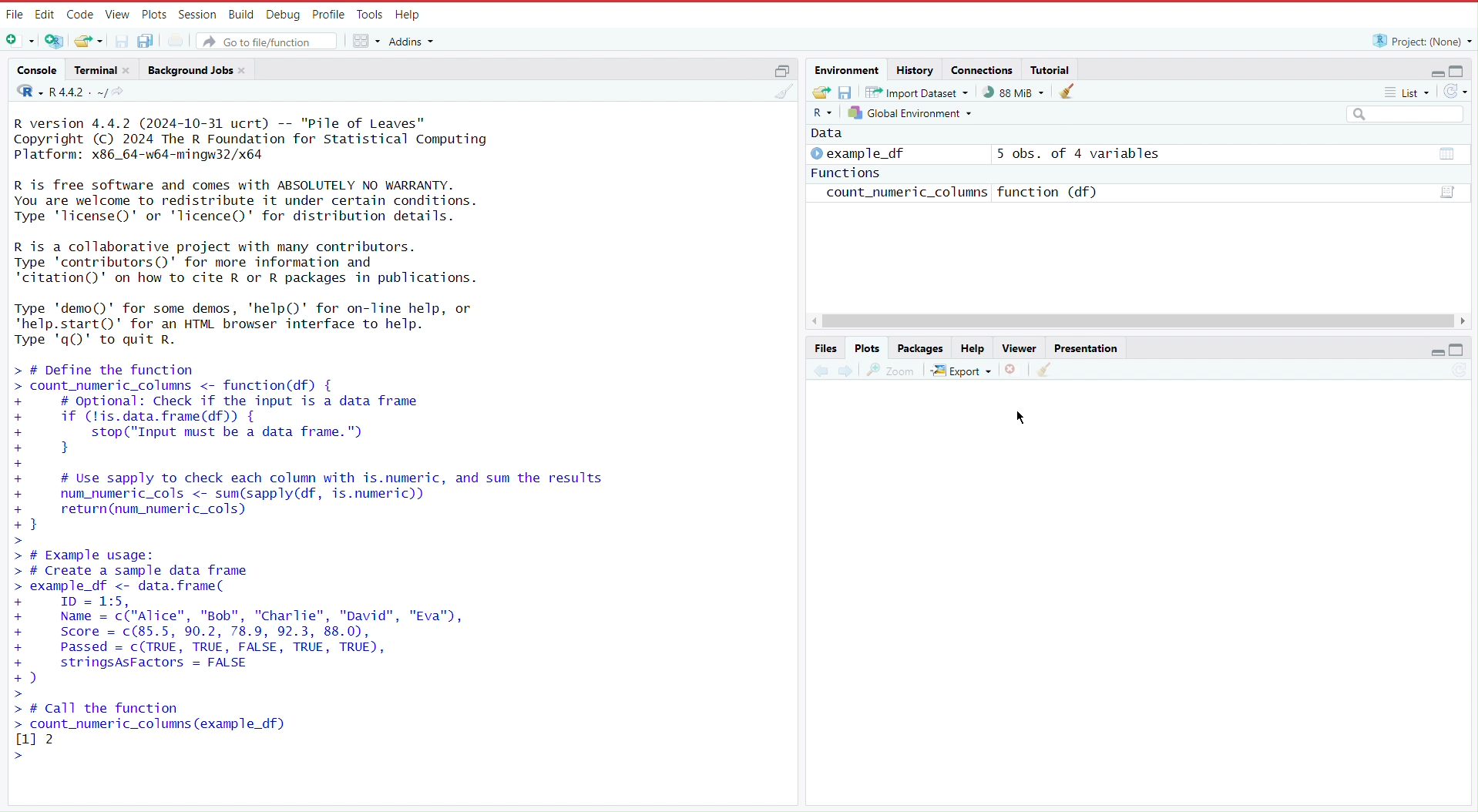 This screenshot has width=1478, height=812. What do you see at coordinates (277, 233) in the screenshot?
I see `R version 4.4.2 (2024-10-51 ucrt) -- "Pile of Leaves"
Copyright (C) 2024 The R Foundation for Statistical Computing
Platform: x86_64-w64-mingw32/x64

R is free software and comes with ABSOLUTELY NO WARRANTY.
You are welcome to redistribute it under certain conditions.
Type 'Ticense()' or 'licence(D' for distribution details.

R is a collaborative project with many contributors.

Type 'contributors()' for more information and

‘citation()' on how to cite R or R packages in publications.
Type 'demo()' for some demos, 'help()' for on-line help, or
'help.start()' for an HTML browser interface to help.

Type 'qQ)' to quit R.` at bounding box center [277, 233].